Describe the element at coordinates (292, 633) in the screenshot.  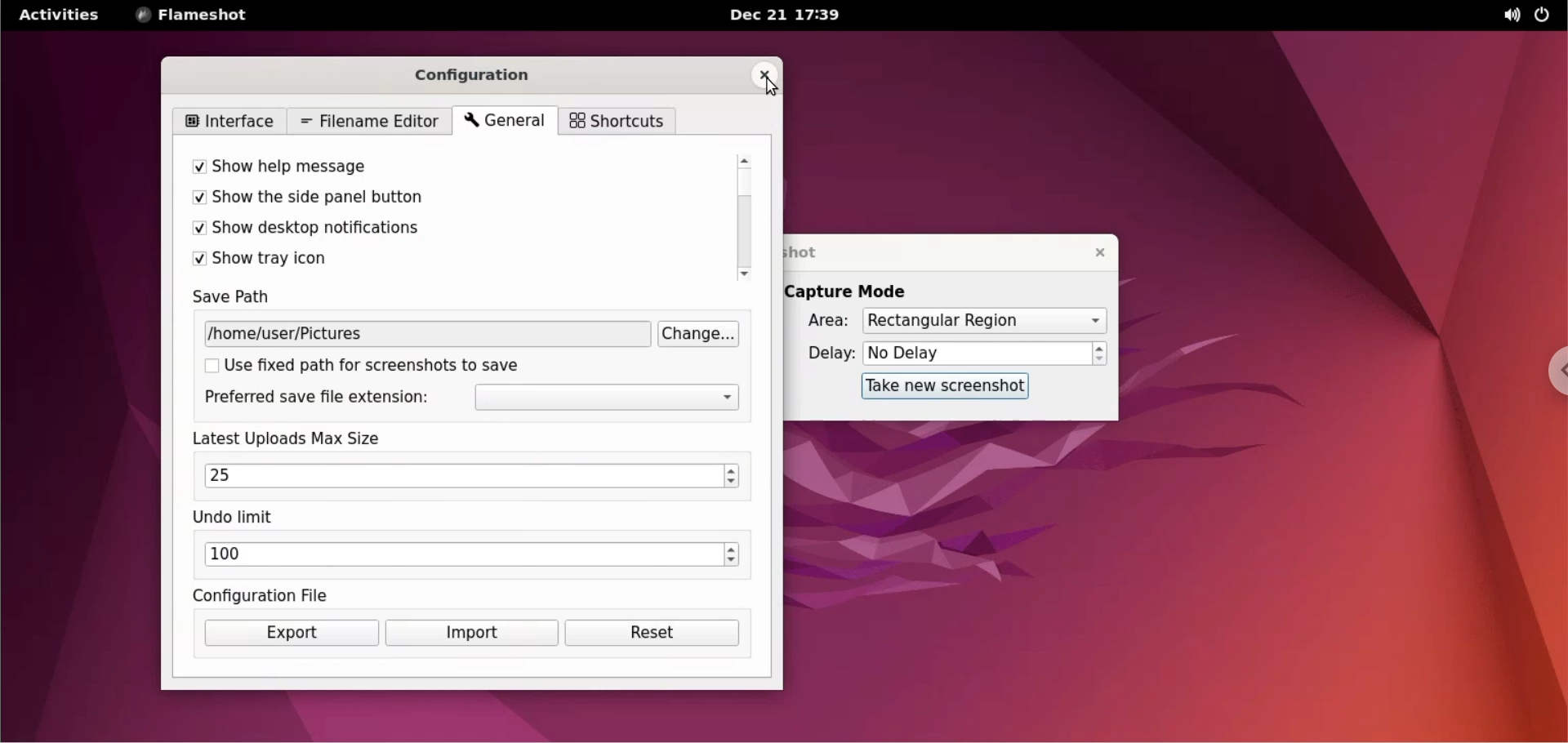
I see `export ` at that location.